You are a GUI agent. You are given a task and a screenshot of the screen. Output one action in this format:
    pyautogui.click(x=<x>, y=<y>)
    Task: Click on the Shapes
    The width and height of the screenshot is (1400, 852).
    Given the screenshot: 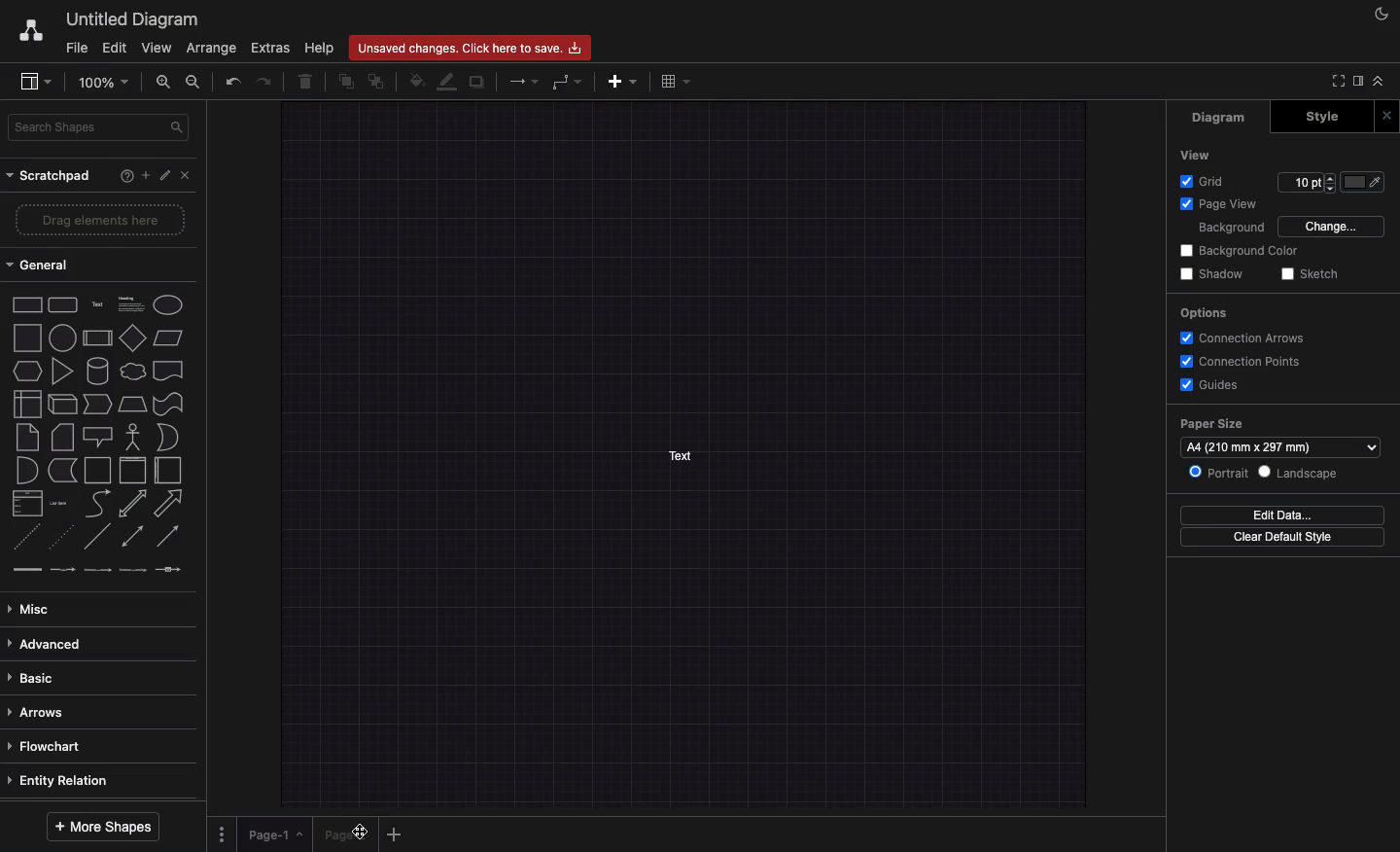 What is the action you would take?
    pyautogui.click(x=97, y=436)
    